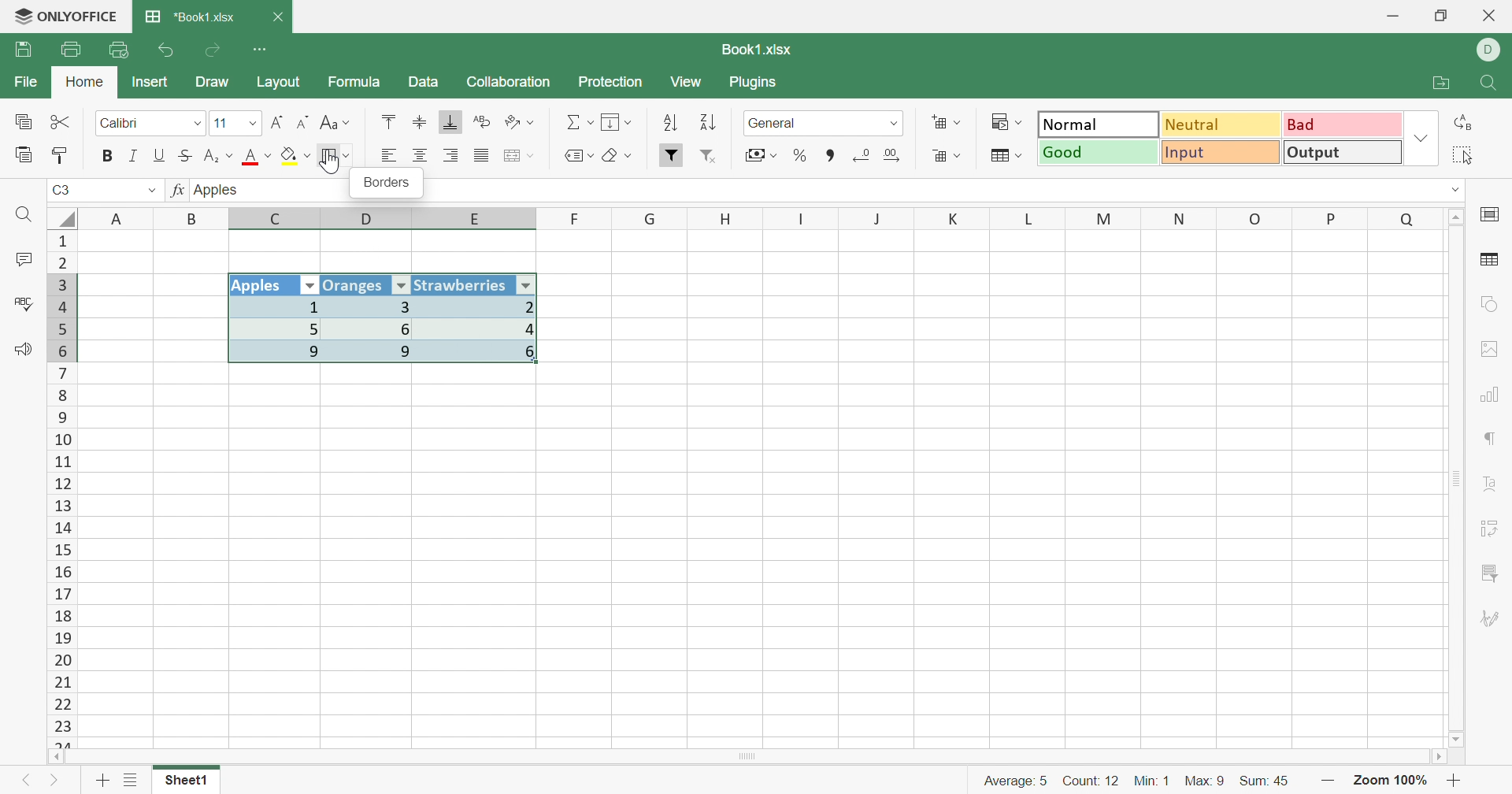 Image resolution: width=1512 pixels, height=794 pixels. Describe the element at coordinates (754, 50) in the screenshot. I see `Book1.xlsx` at that location.